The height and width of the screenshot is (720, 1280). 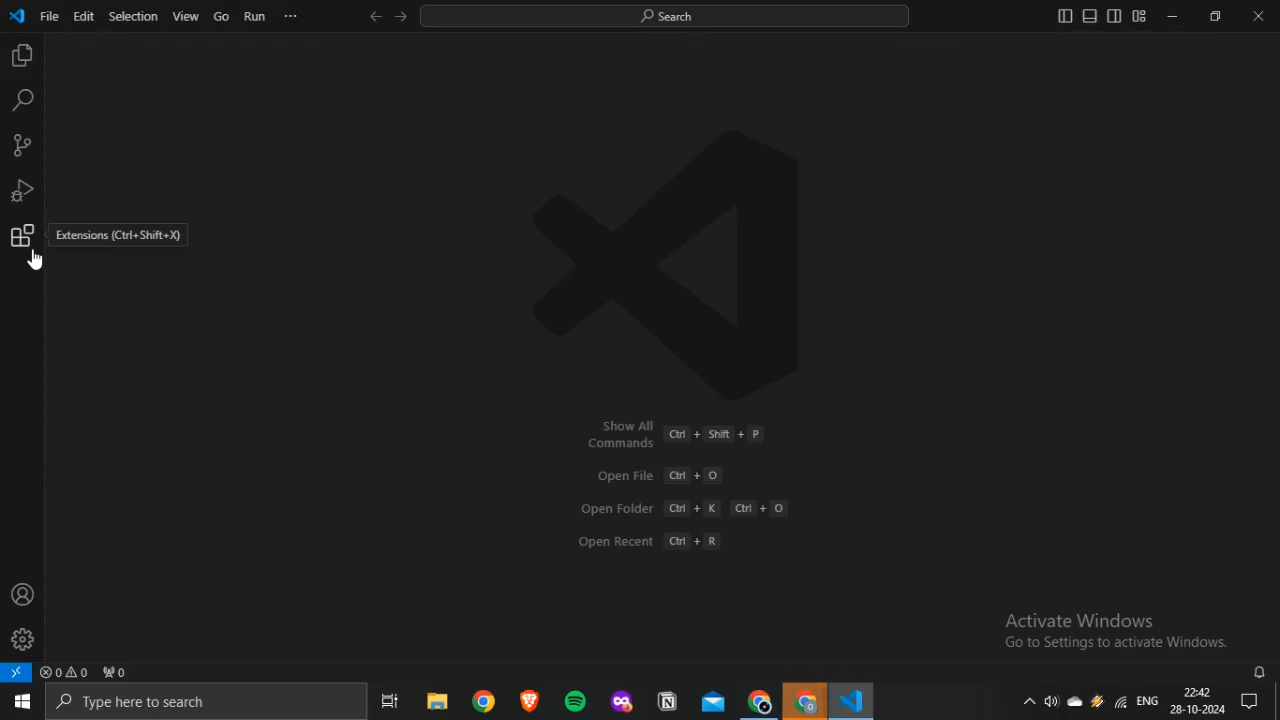 What do you see at coordinates (1028, 700) in the screenshot?
I see `show hidden icons` at bounding box center [1028, 700].